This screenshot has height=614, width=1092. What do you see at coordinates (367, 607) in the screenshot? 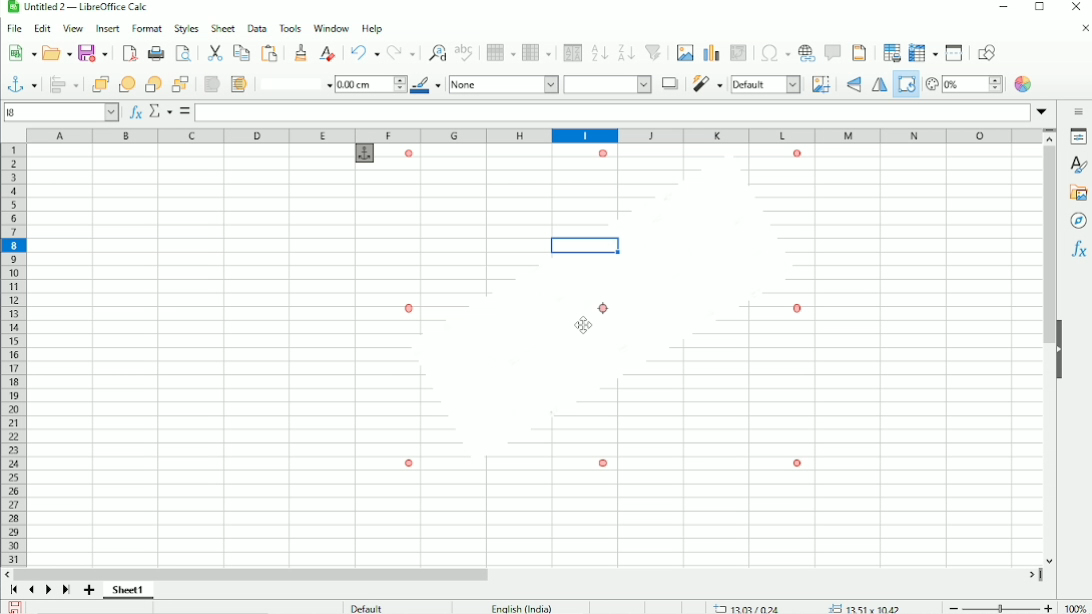
I see `Default` at bounding box center [367, 607].